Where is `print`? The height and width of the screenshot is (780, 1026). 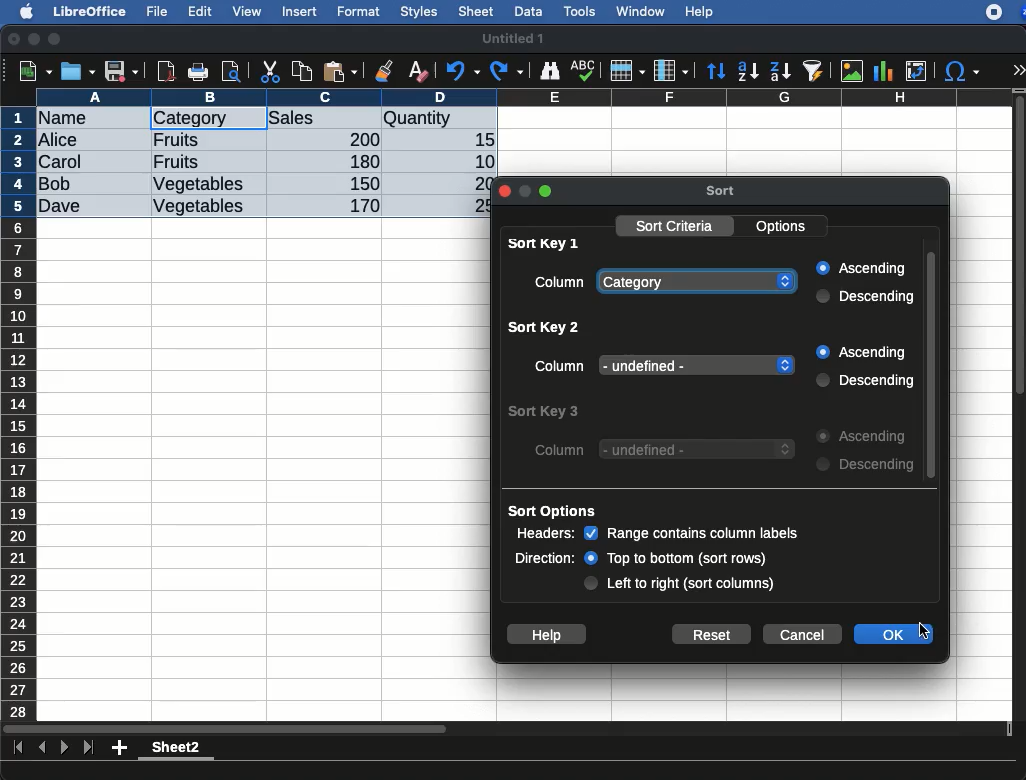
print is located at coordinates (198, 72).